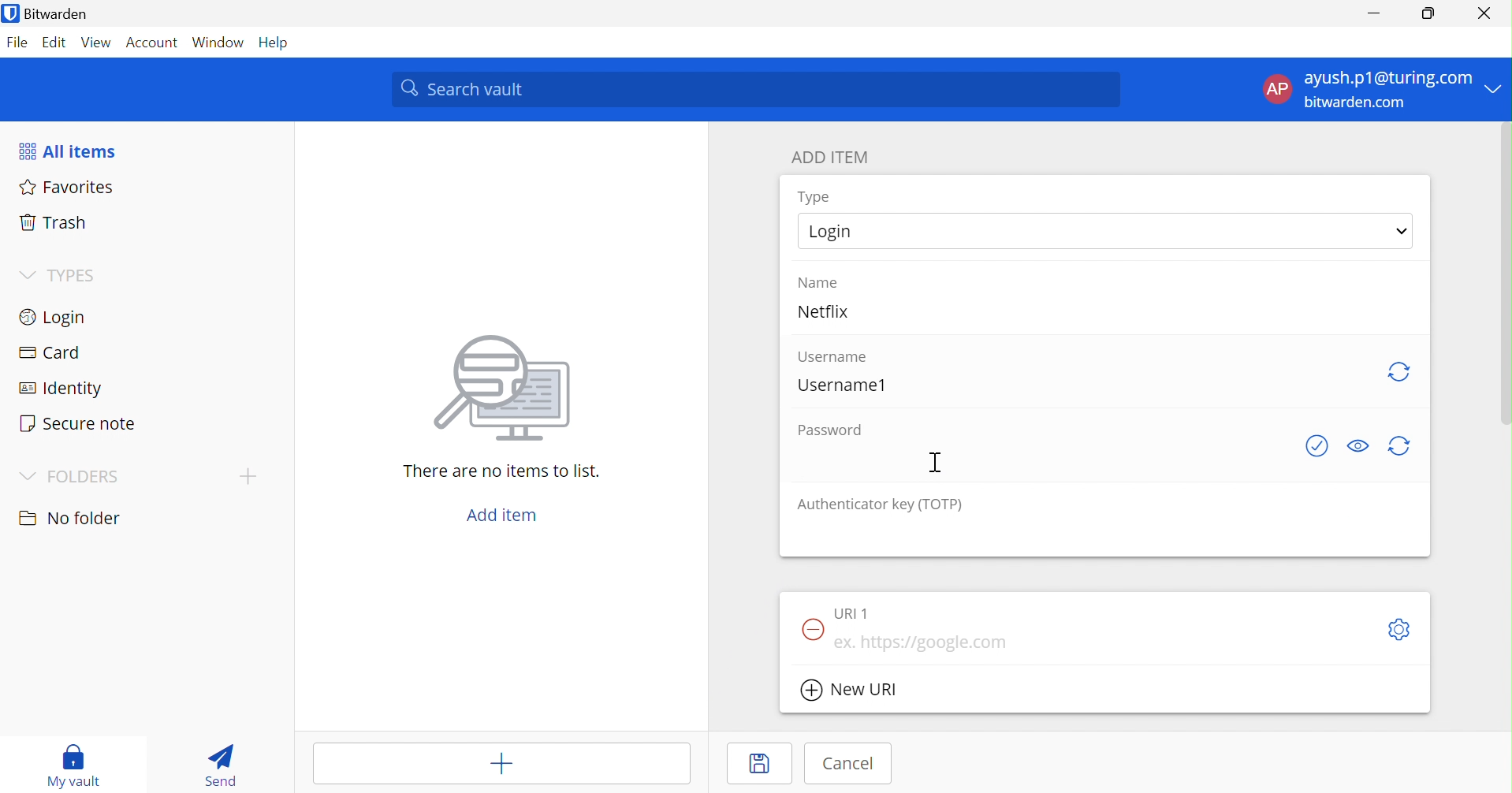 This screenshot has height=793, width=1512. What do you see at coordinates (52, 222) in the screenshot?
I see `Trash` at bounding box center [52, 222].